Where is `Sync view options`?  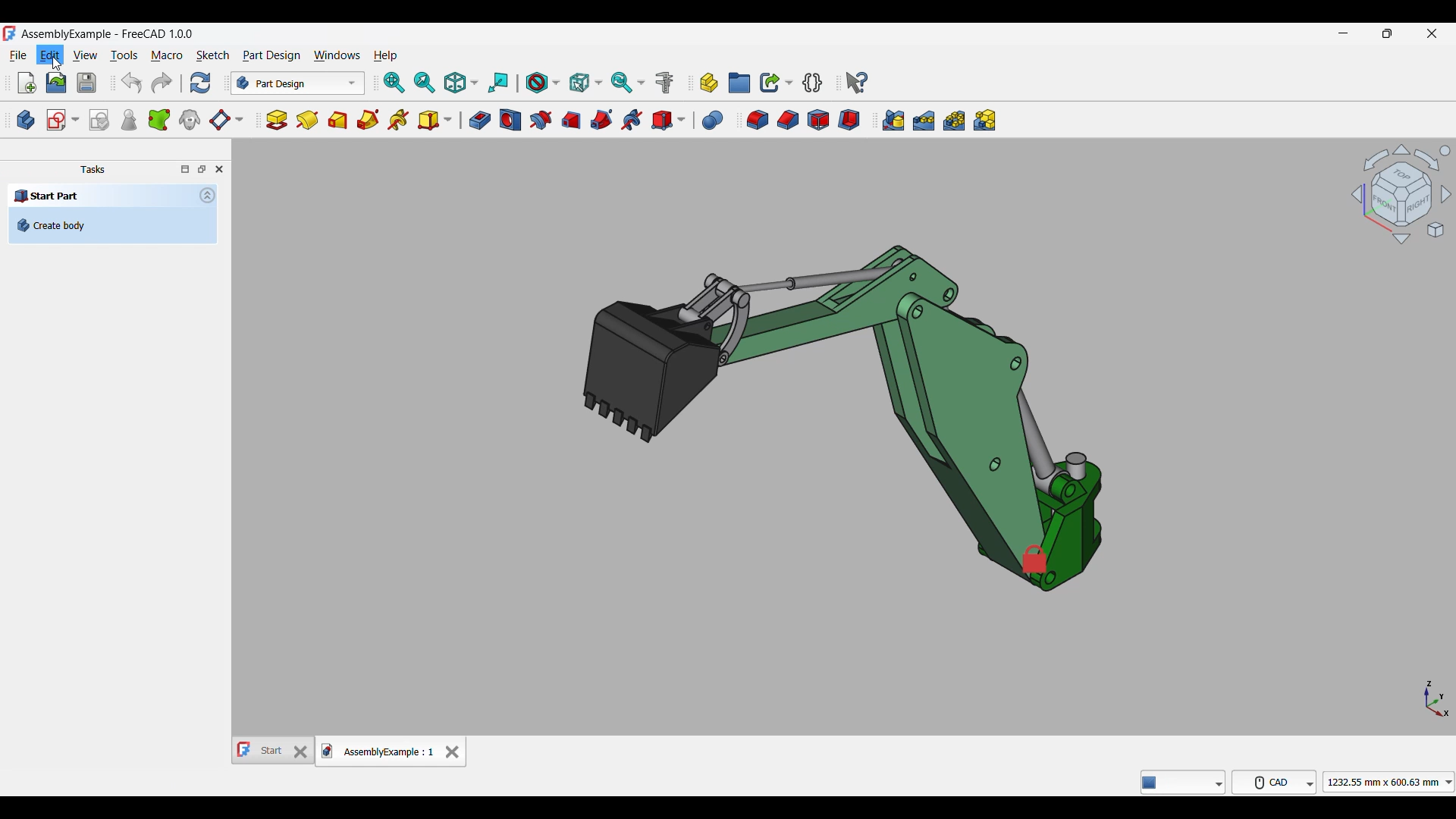 Sync view options is located at coordinates (628, 82).